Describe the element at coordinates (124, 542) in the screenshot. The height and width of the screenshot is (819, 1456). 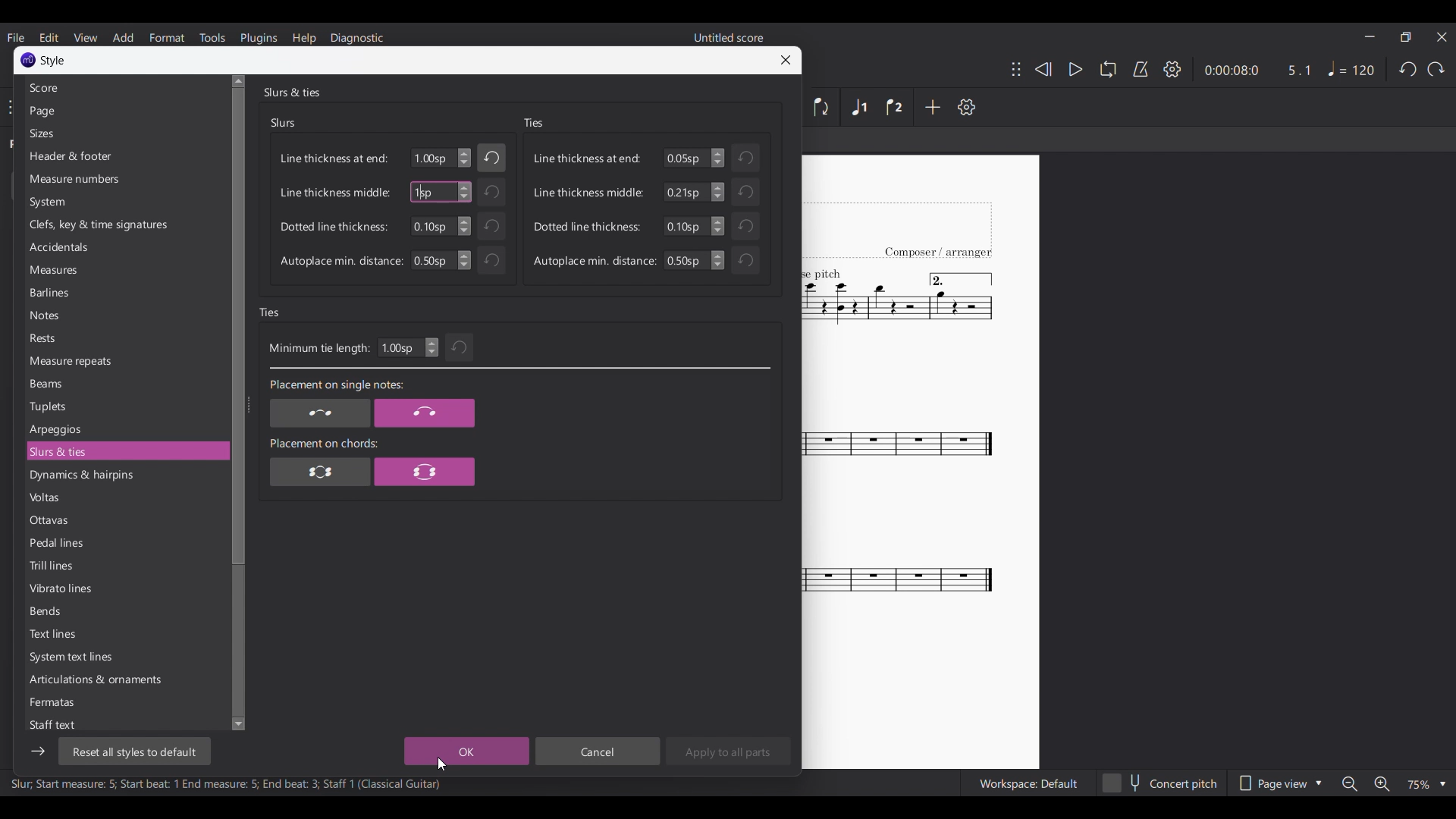
I see `Pedal lines` at that location.